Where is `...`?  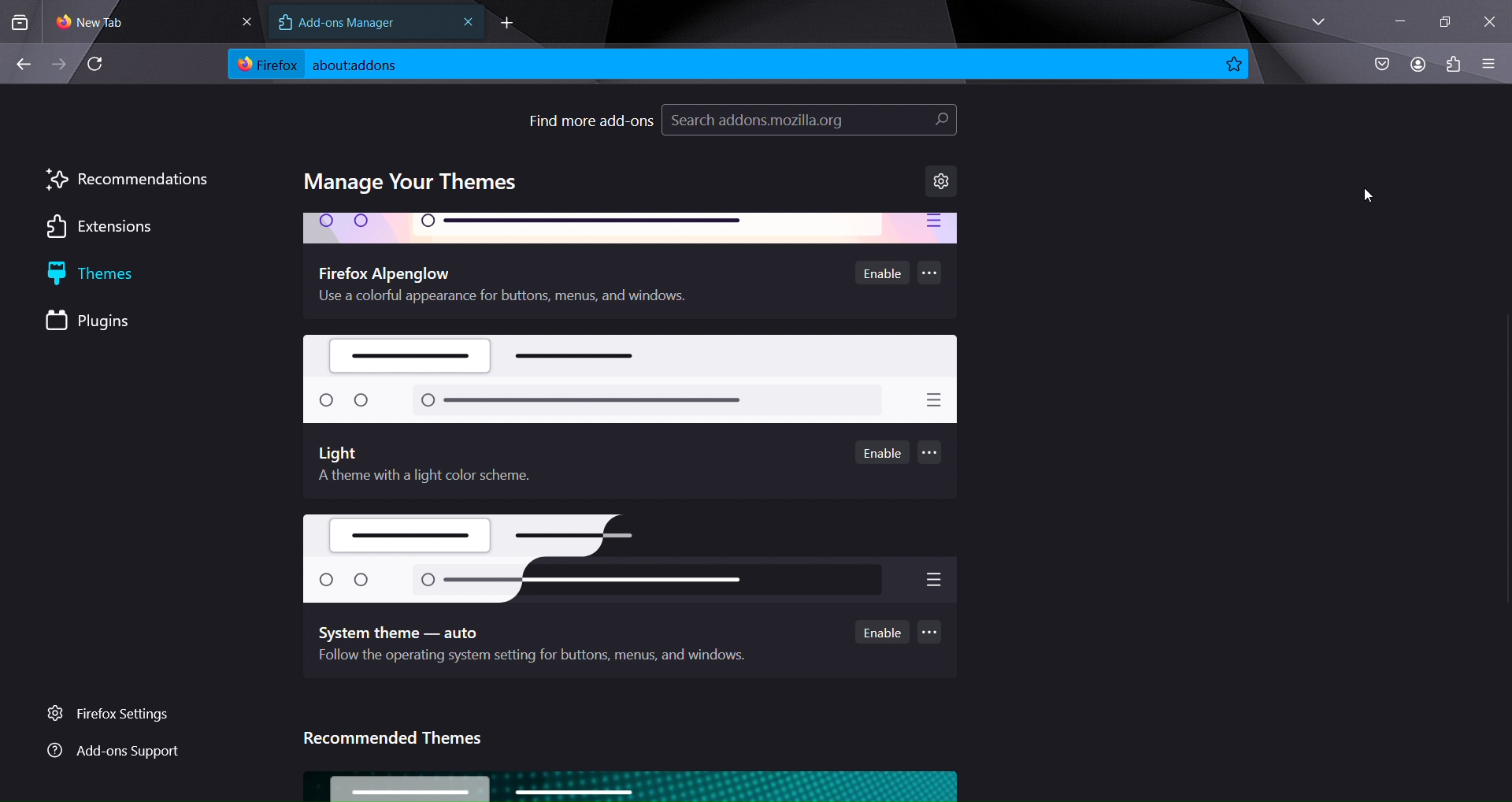
... is located at coordinates (932, 633).